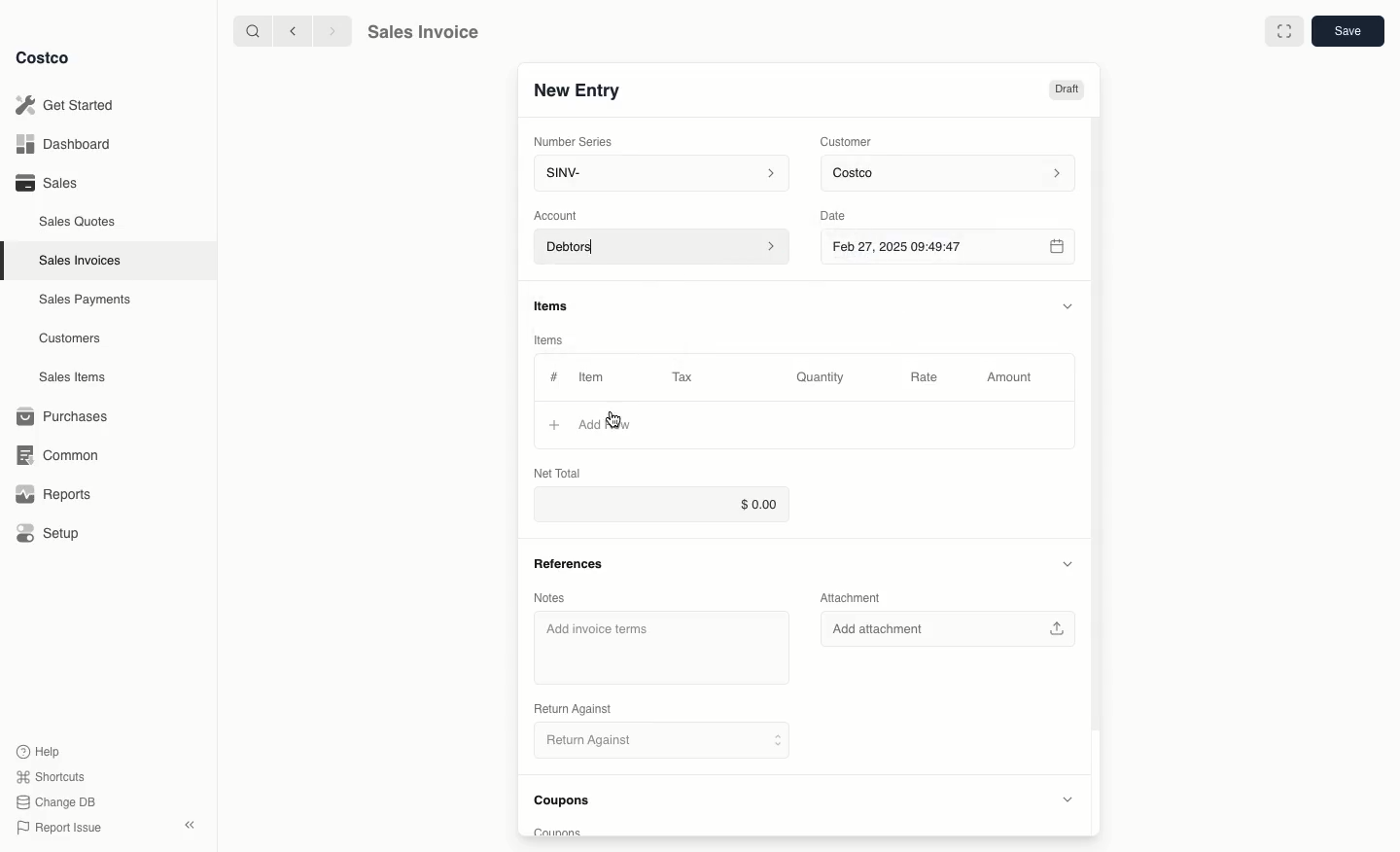 The height and width of the screenshot is (852, 1400). I want to click on Hashtag, so click(553, 377).